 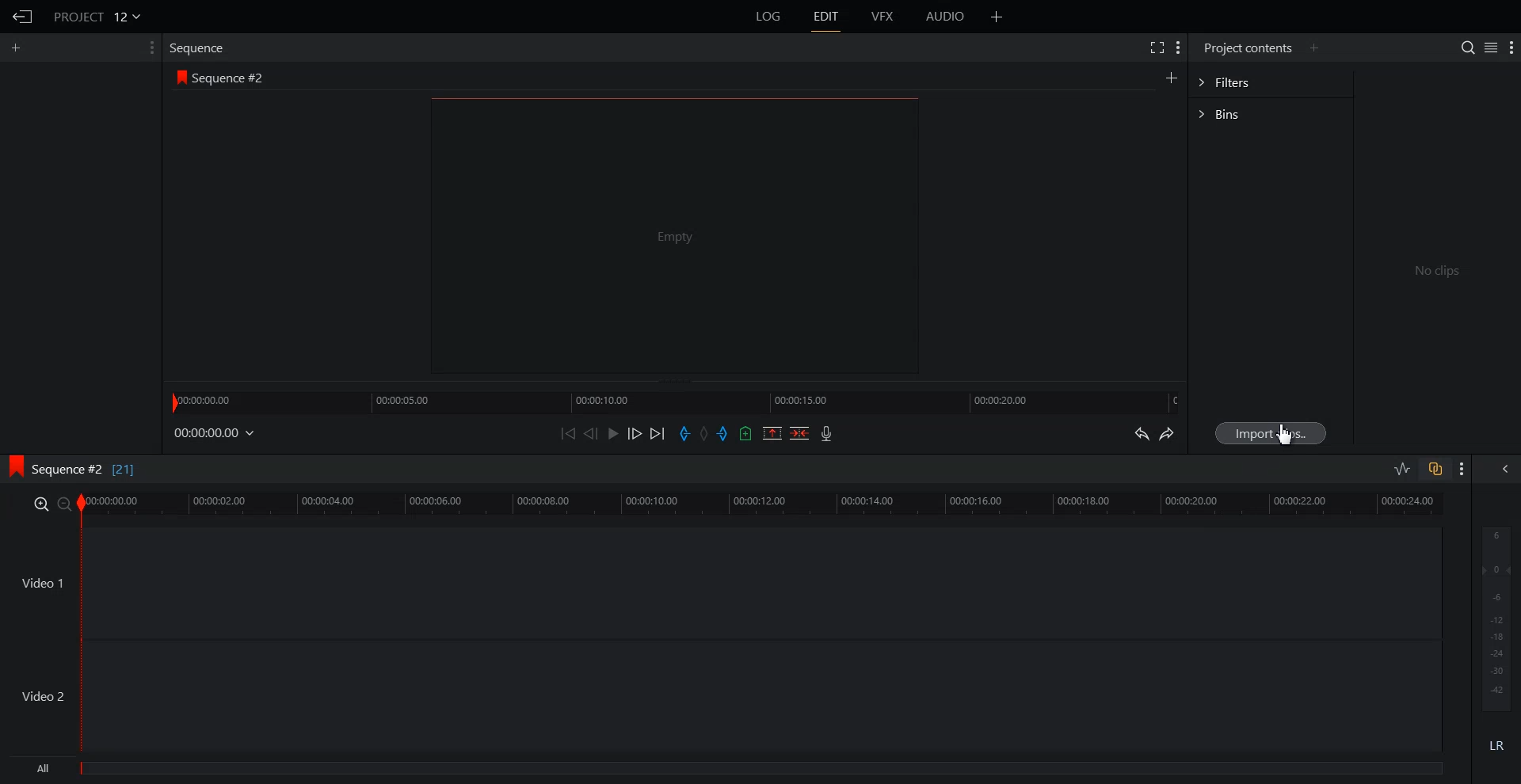 I want to click on Toggle Audio editing, so click(x=1403, y=468).